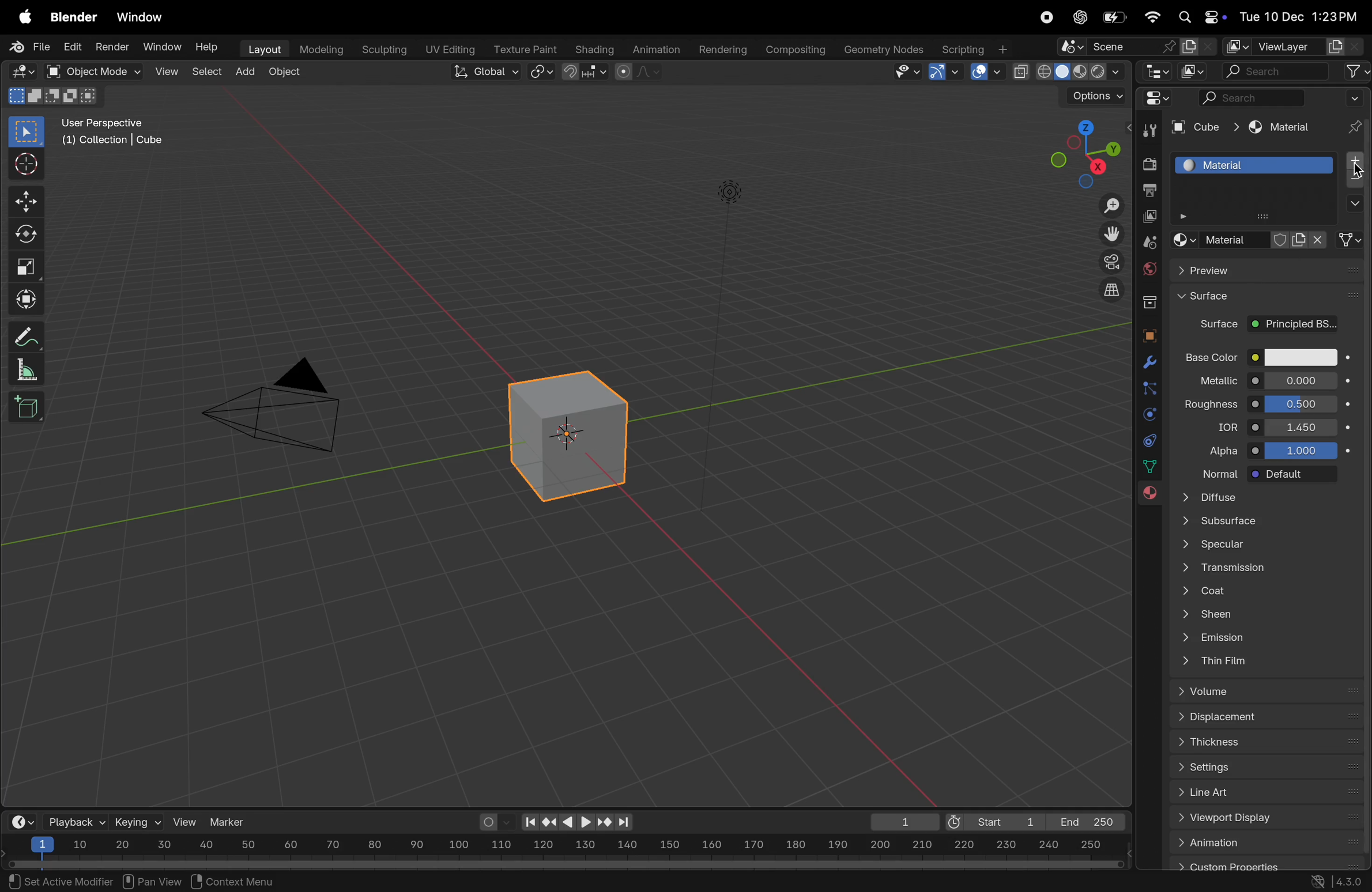 The height and width of the screenshot is (892, 1372). What do you see at coordinates (564, 436) in the screenshot?
I see `3D cube ` at bounding box center [564, 436].